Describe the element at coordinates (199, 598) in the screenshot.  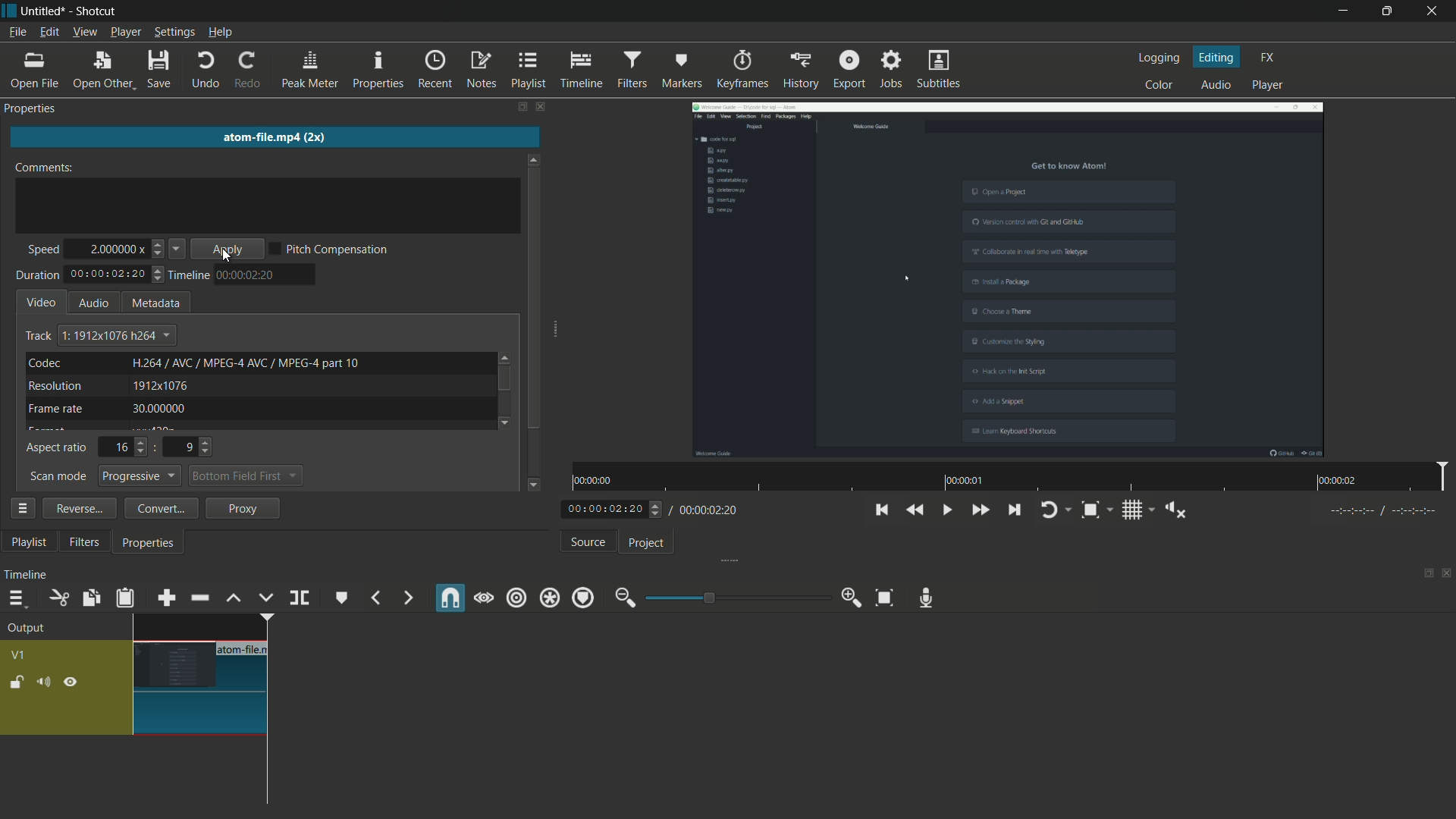
I see `ripple delete` at that location.